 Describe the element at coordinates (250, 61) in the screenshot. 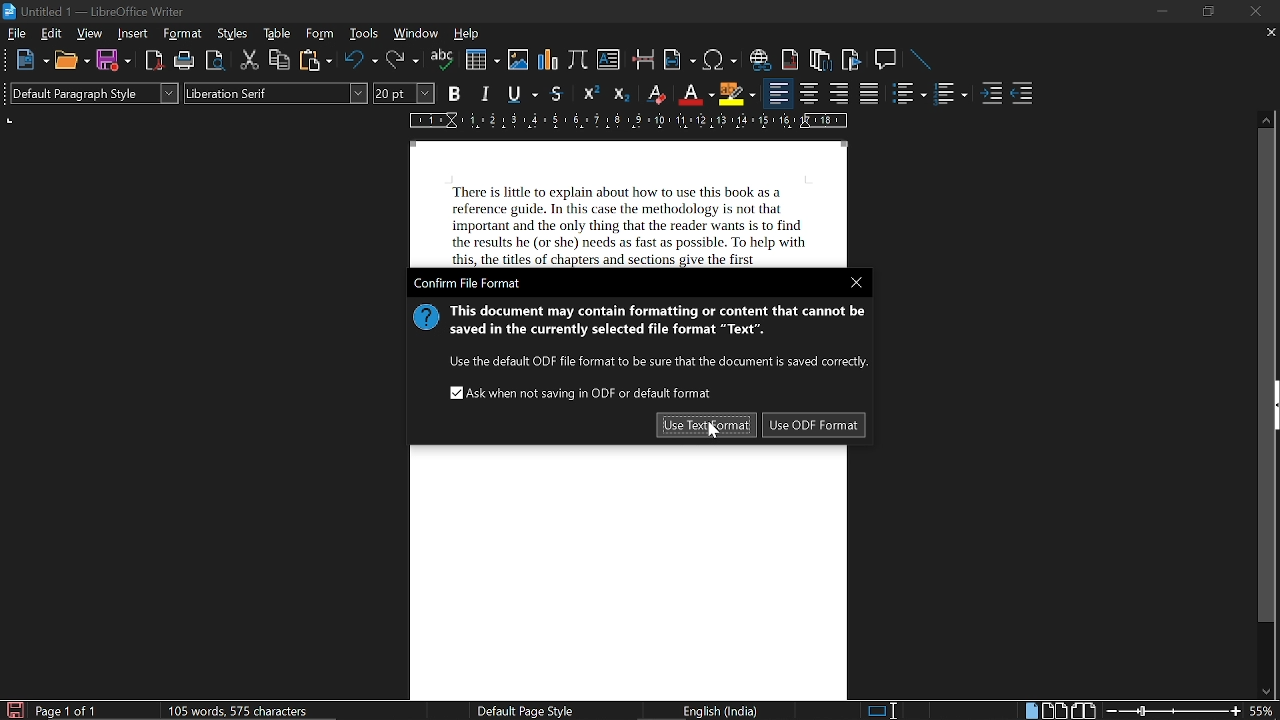

I see `cut` at that location.